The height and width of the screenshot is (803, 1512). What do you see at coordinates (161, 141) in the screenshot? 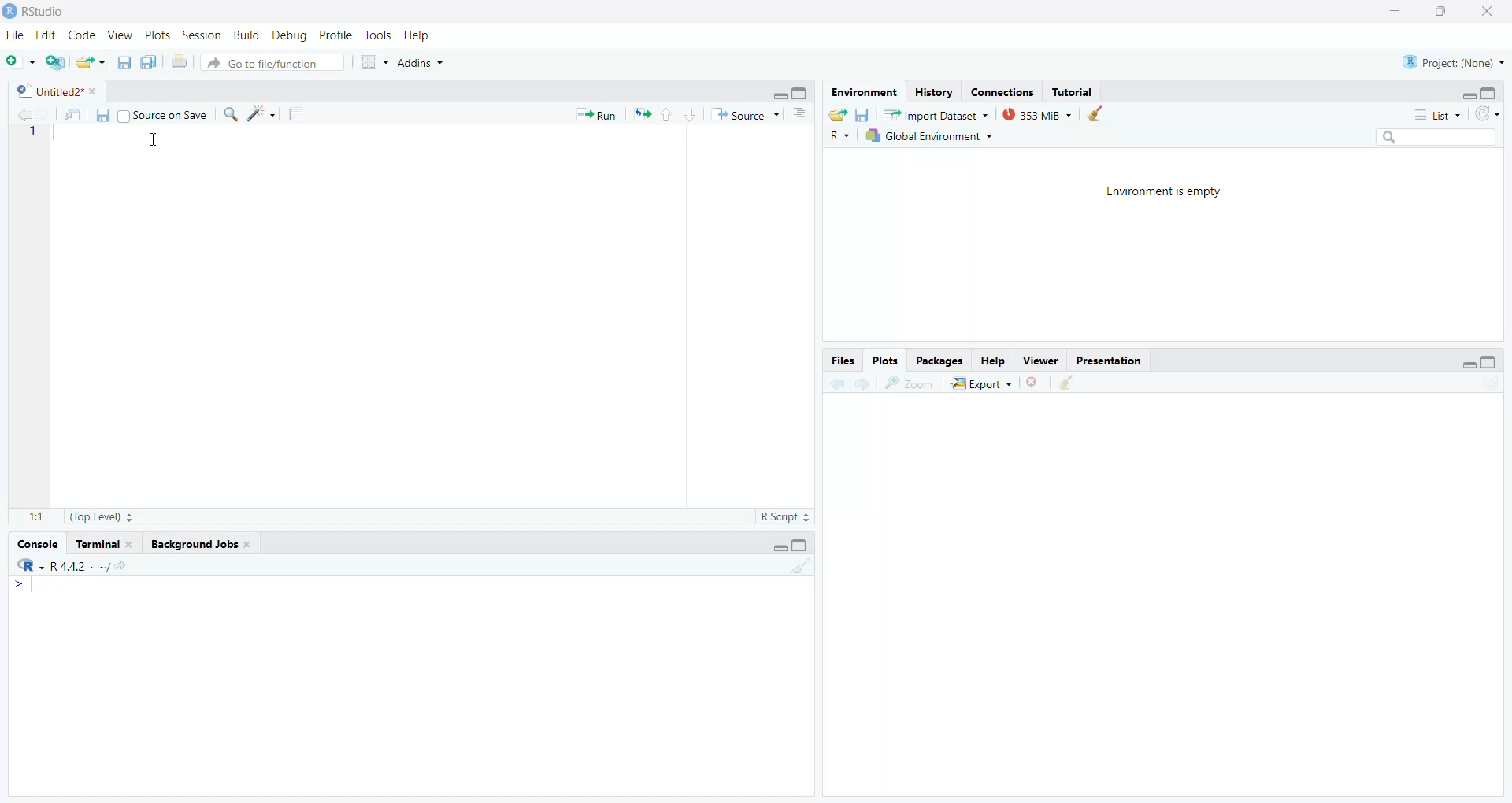
I see `cursor` at bounding box center [161, 141].